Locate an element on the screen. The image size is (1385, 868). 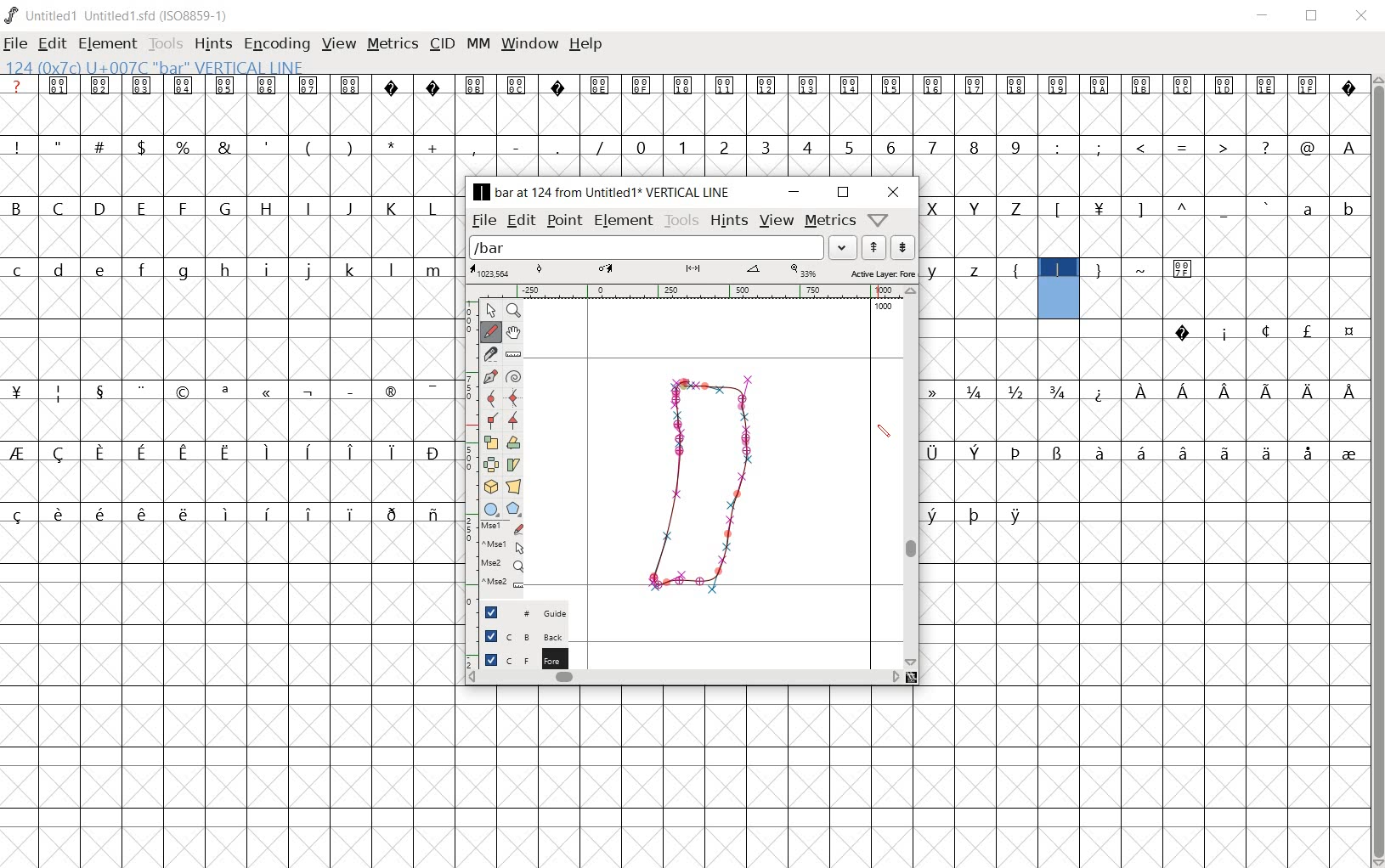
124(0*7c)U+007c"bar"Vertical Line is located at coordinates (163, 65).